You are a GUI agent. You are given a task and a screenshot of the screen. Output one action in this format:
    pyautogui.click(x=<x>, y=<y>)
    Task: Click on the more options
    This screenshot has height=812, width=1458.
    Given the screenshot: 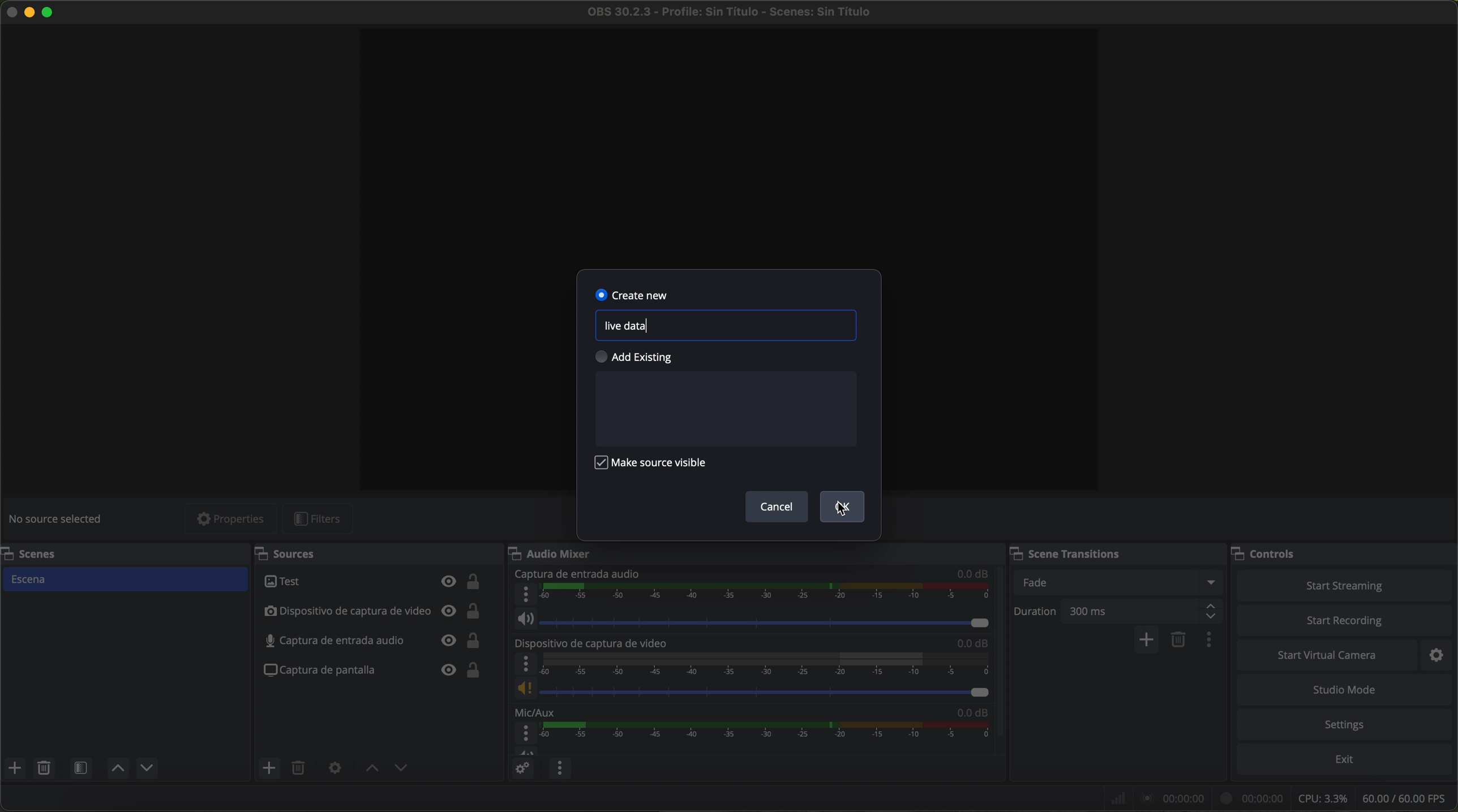 What is the action you would take?
    pyautogui.click(x=524, y=595)
    